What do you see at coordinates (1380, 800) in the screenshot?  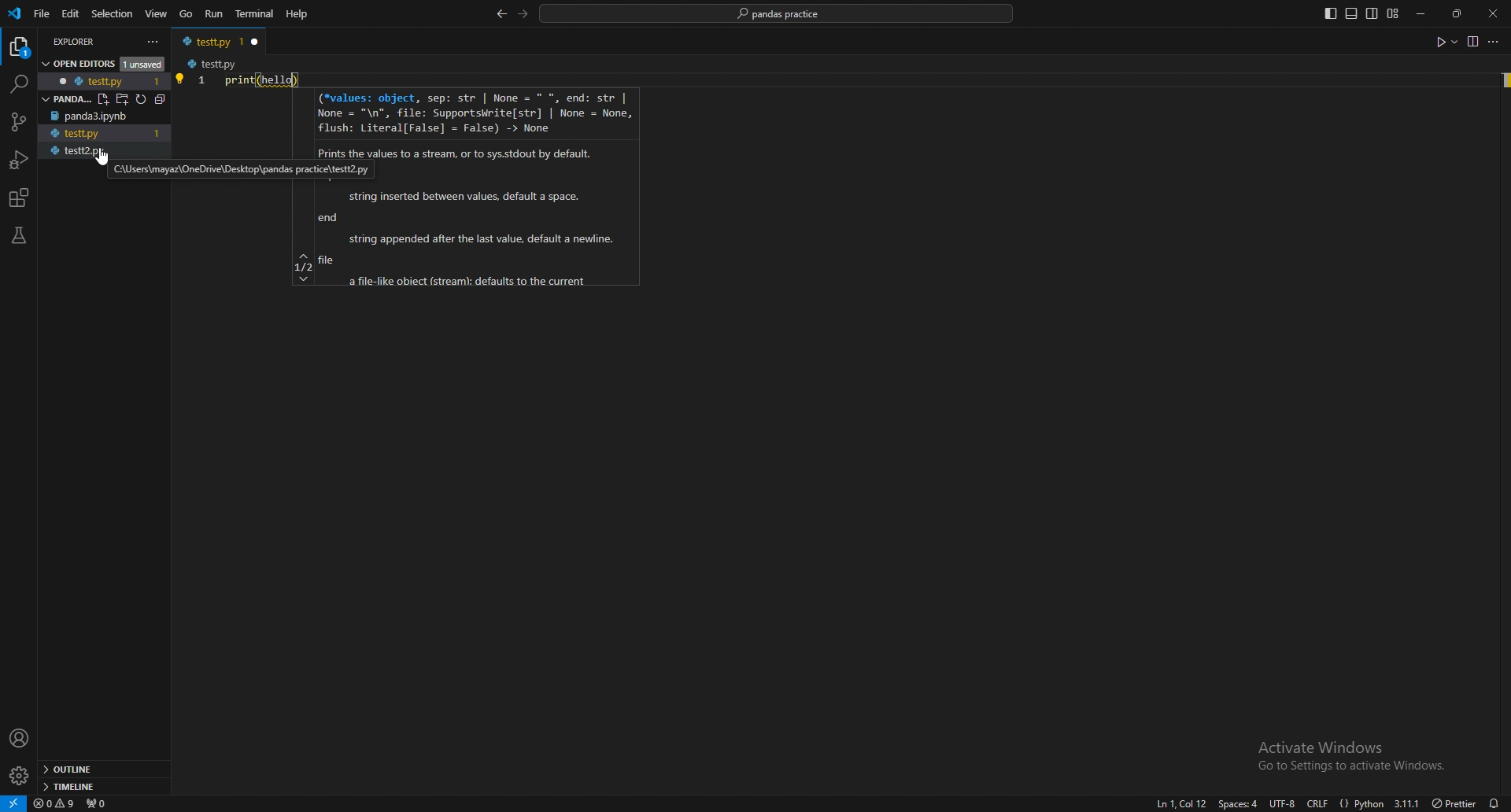 I see `{} Python 3.11.1` at bounding box center [1380, 800].